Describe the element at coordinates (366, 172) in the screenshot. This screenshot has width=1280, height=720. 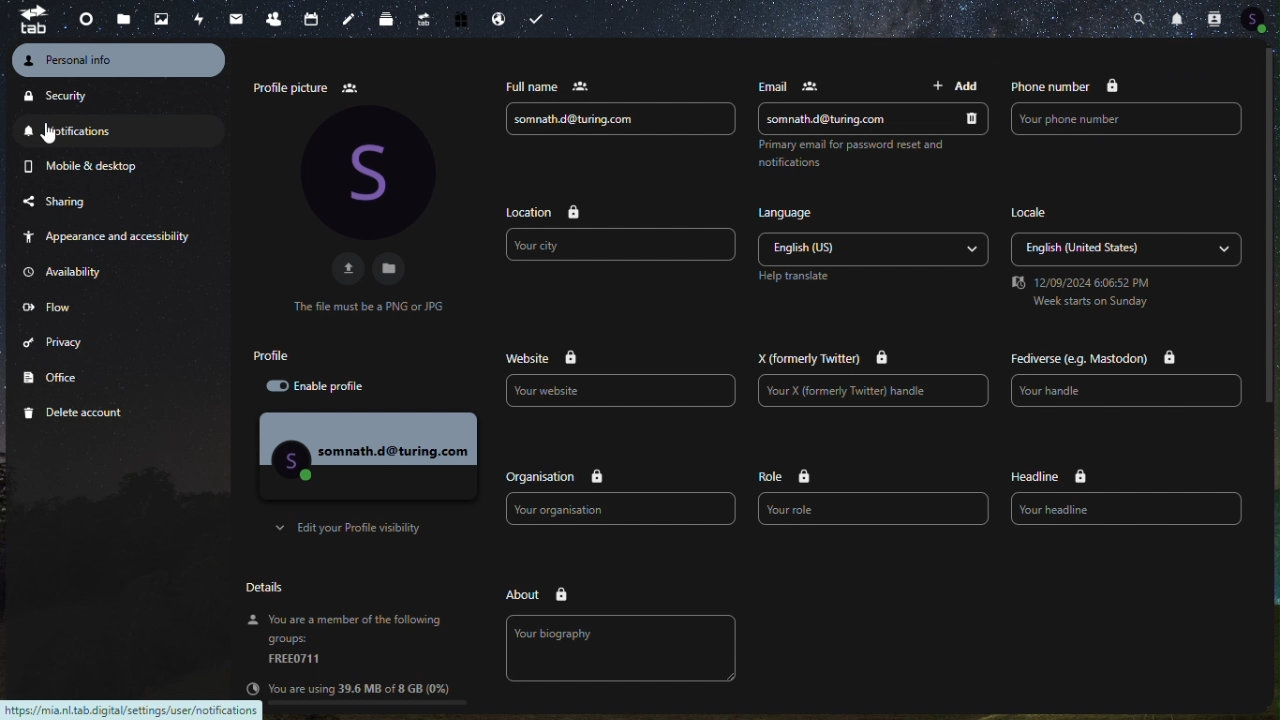
I see `Profile picture` at that location.